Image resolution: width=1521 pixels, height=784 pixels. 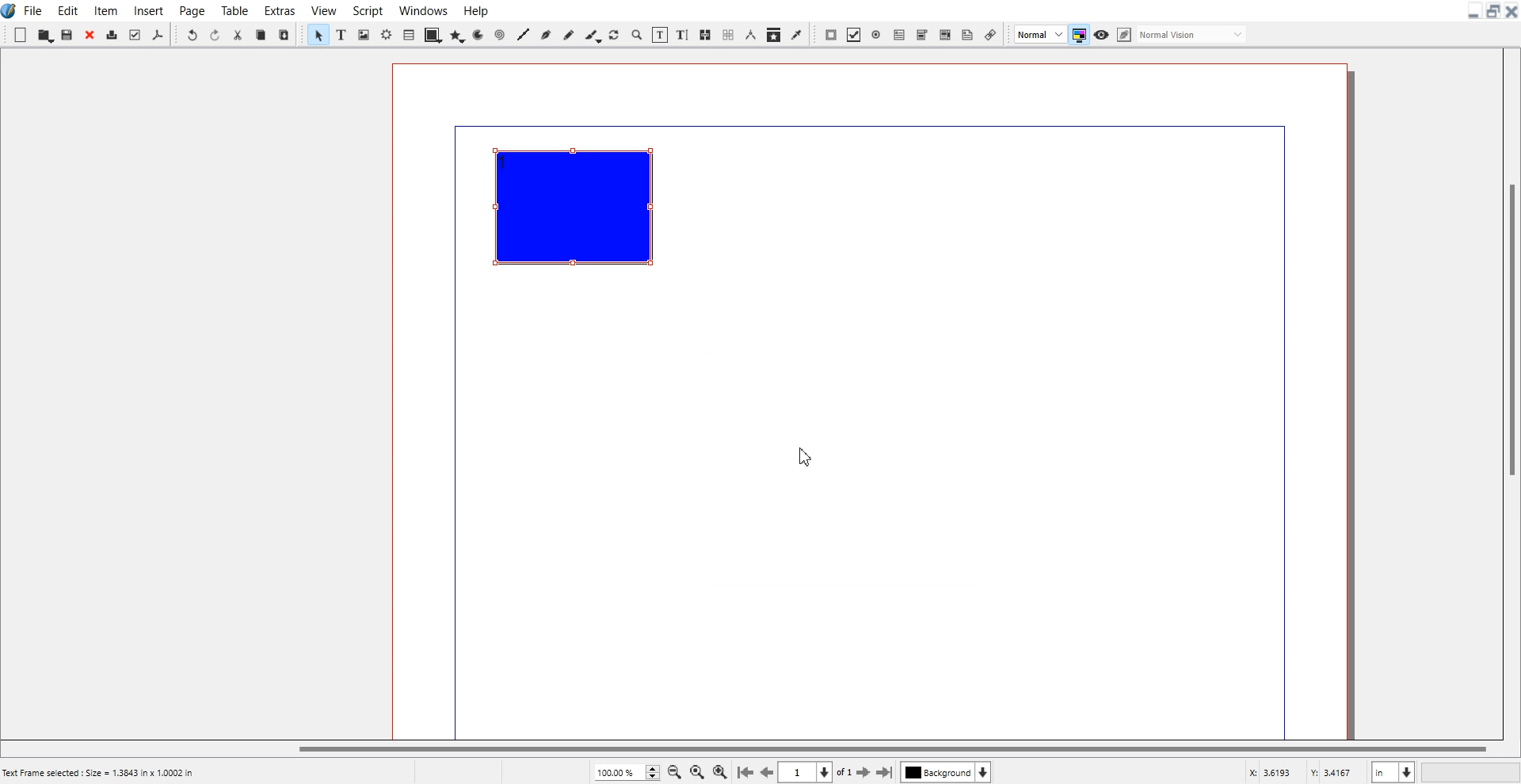 What do you see at coordinates (592, 35) in the screenshot?
I see `Calligraphic line` at bounding box center [592, 35].